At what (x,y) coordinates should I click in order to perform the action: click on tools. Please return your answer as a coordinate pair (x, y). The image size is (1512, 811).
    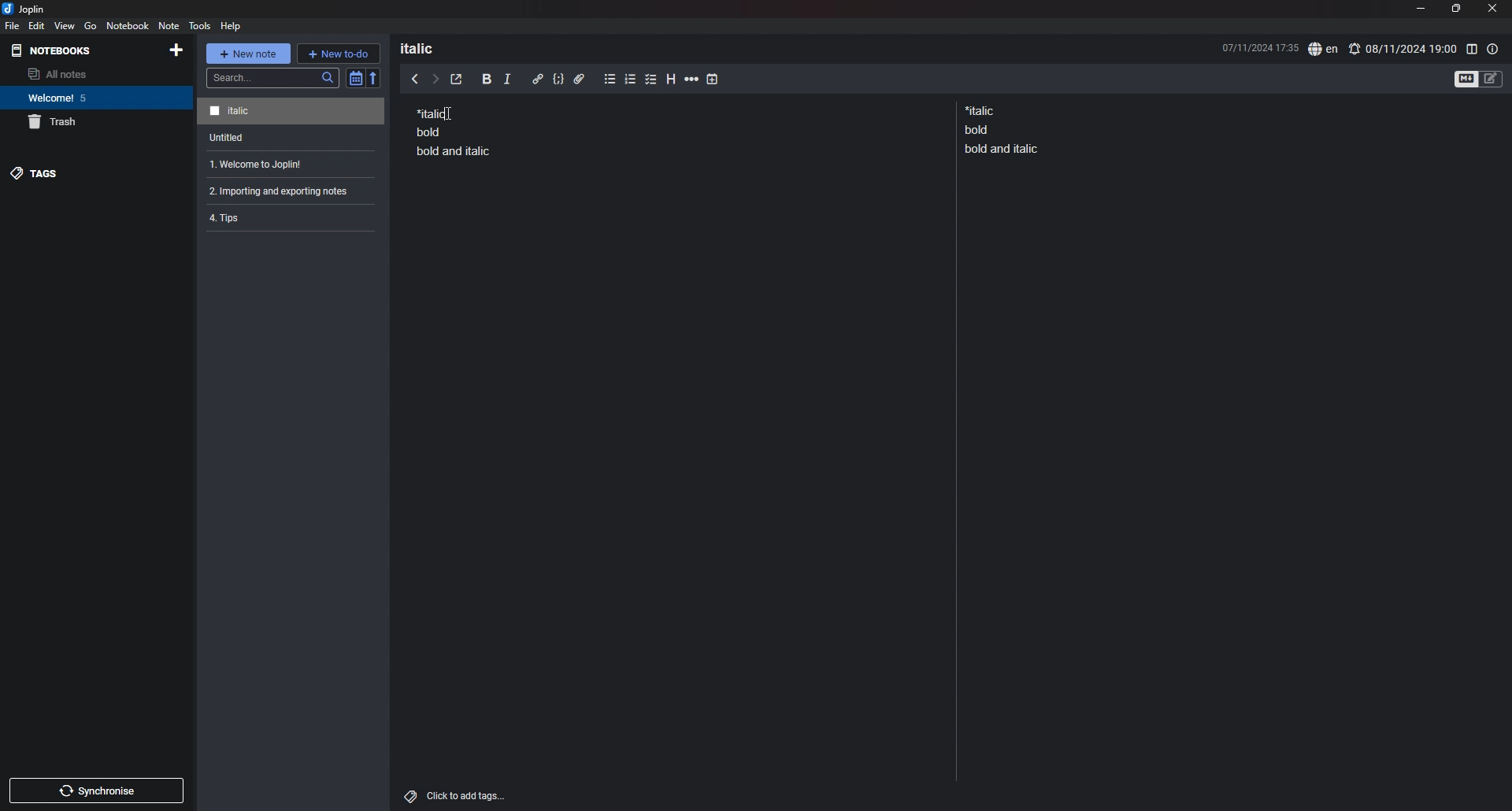
    Looking at the image, I should click on (200, 25).